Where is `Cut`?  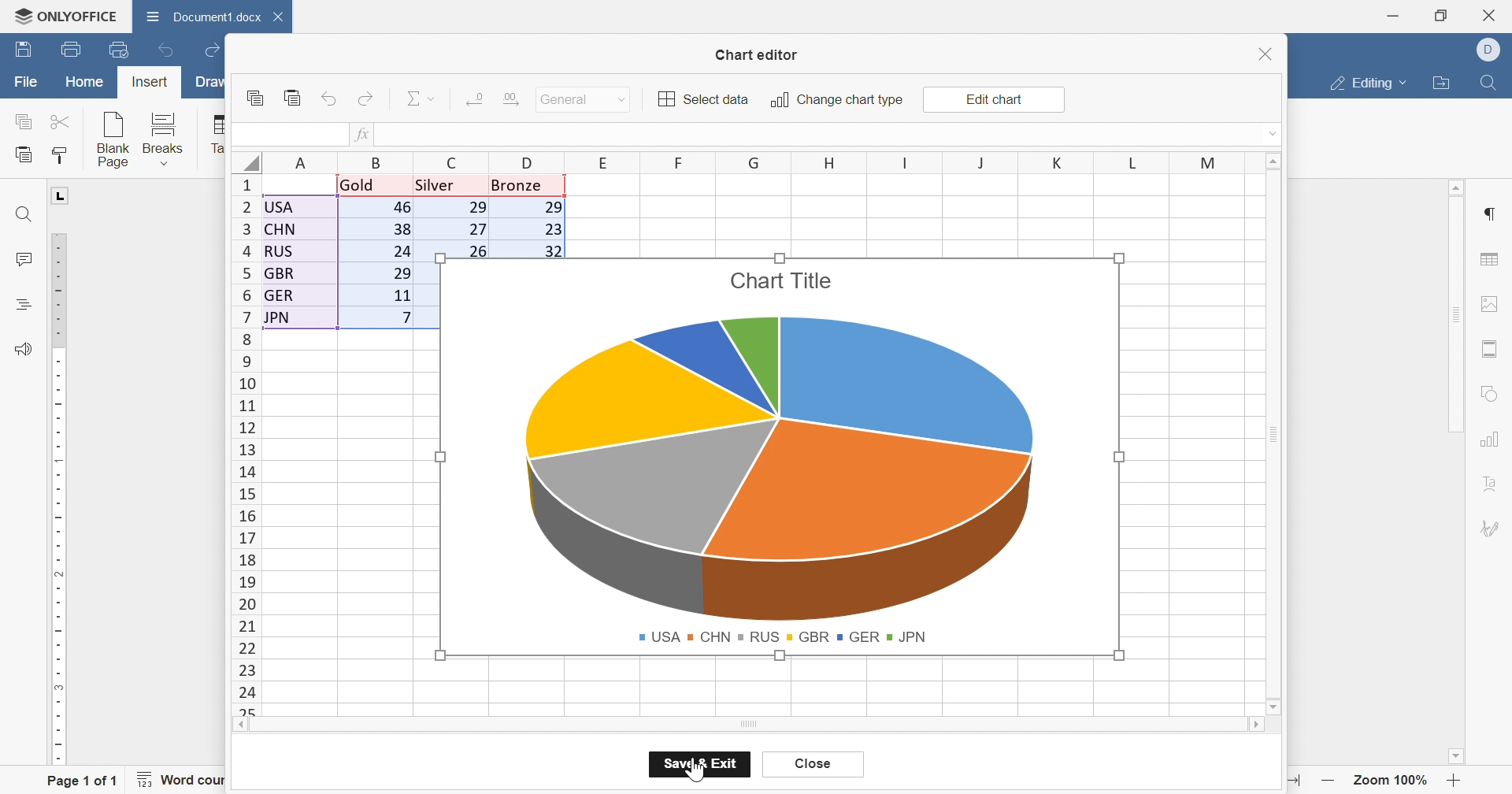 Cut is located at coordinates (63, 121).